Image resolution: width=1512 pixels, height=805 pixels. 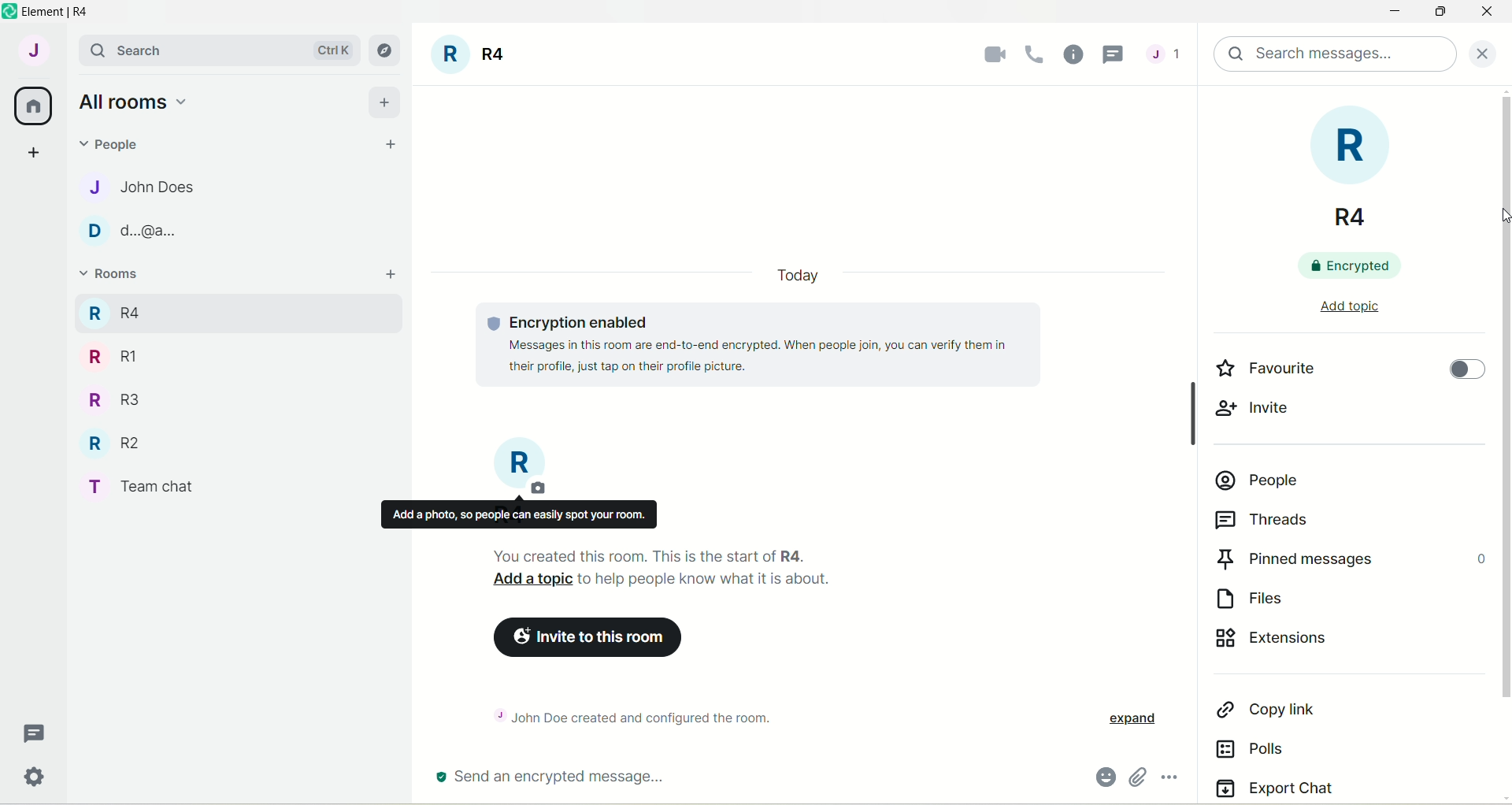 What do you see at coordinates (1131, 720) in the screenshot?
I see `expand` at bounding box center [1131, 720].